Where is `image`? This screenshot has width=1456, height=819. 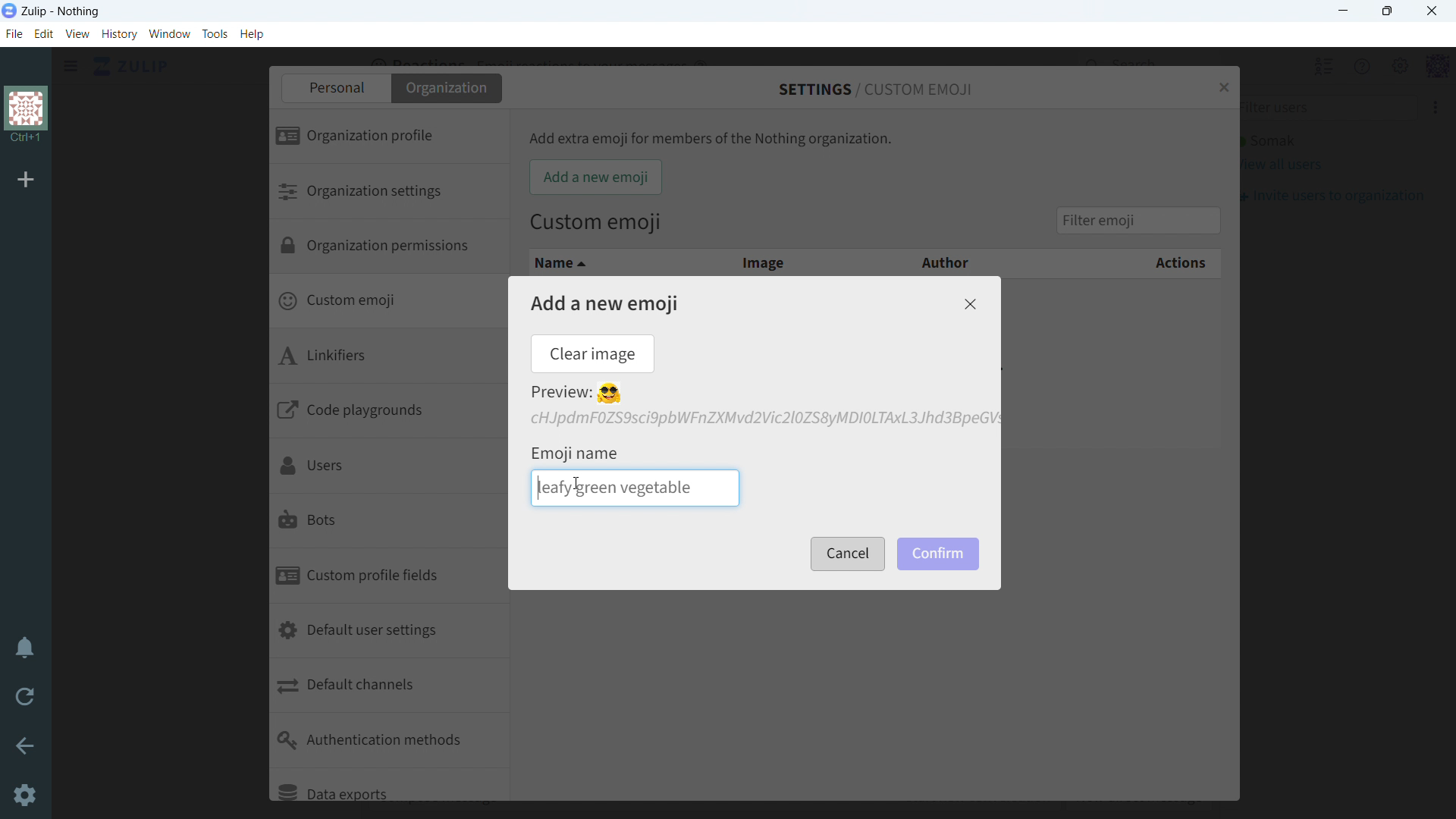
image is located at coordinates (762, 261).